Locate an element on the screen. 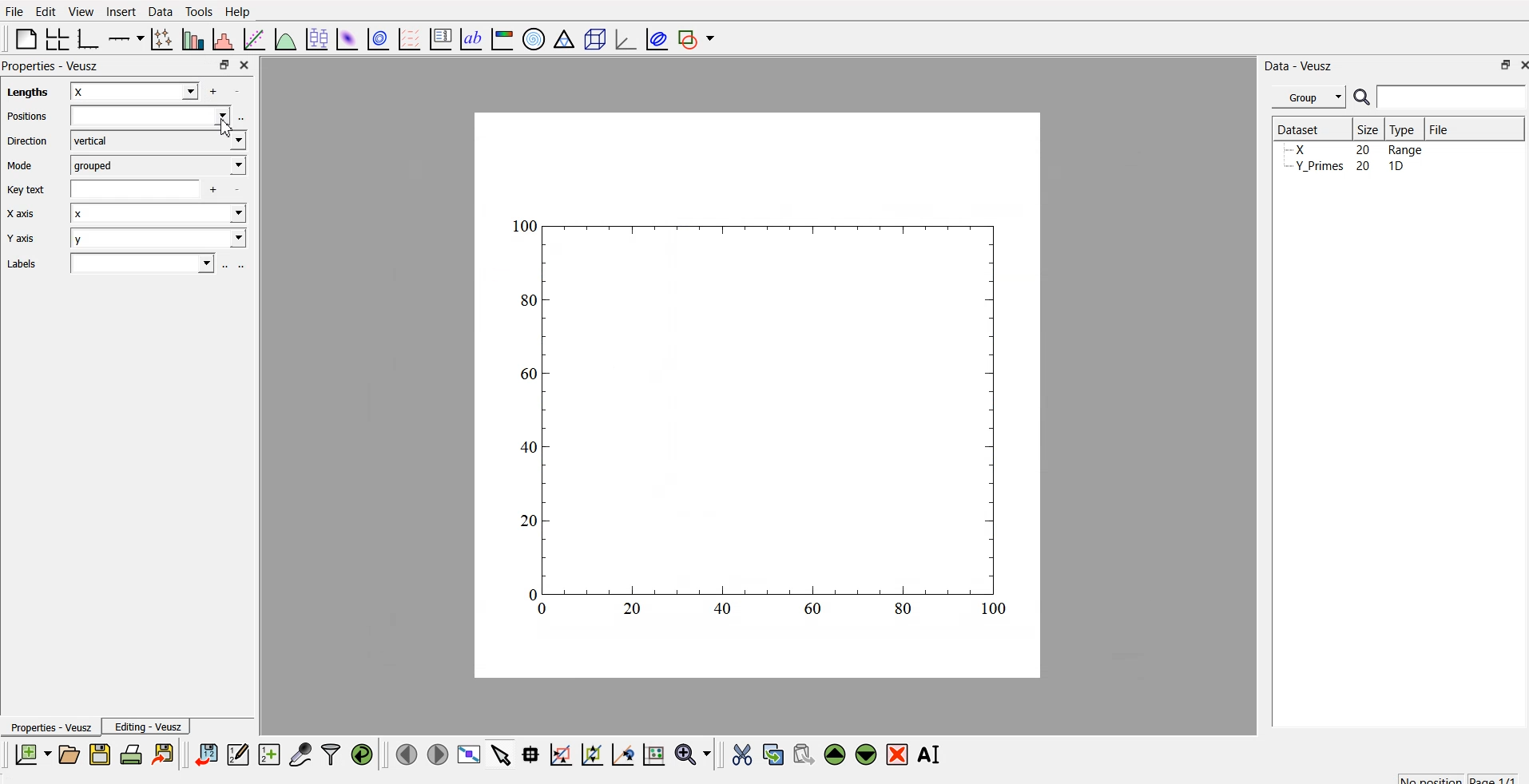 The height and width of the screenshot is (784, 1529). no position page 1/1 is located at coordinates (1450, 776).